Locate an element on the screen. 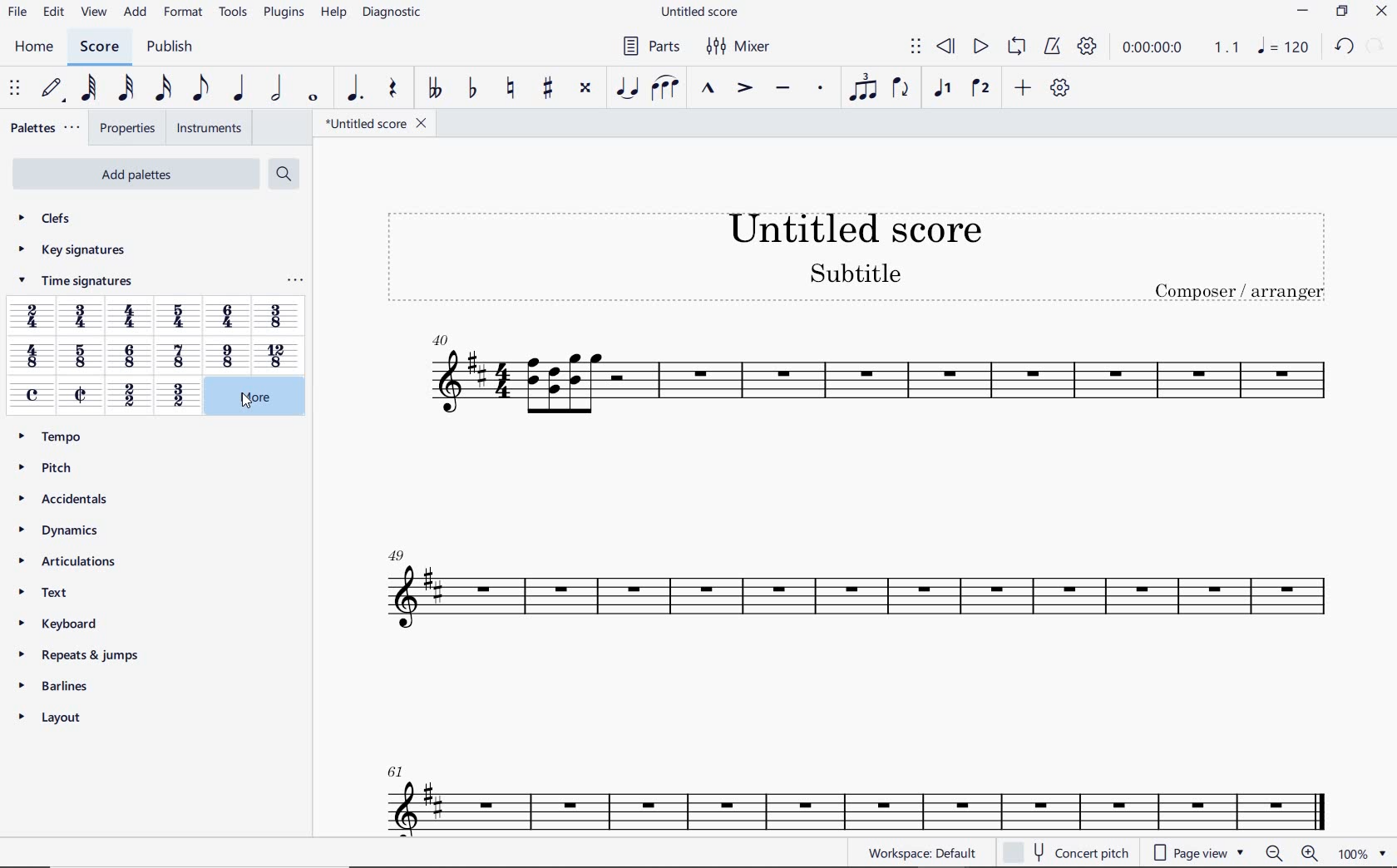 The height and width of the screenshot is (868, 1397). 12/8 is located at coordinates (275, 355).